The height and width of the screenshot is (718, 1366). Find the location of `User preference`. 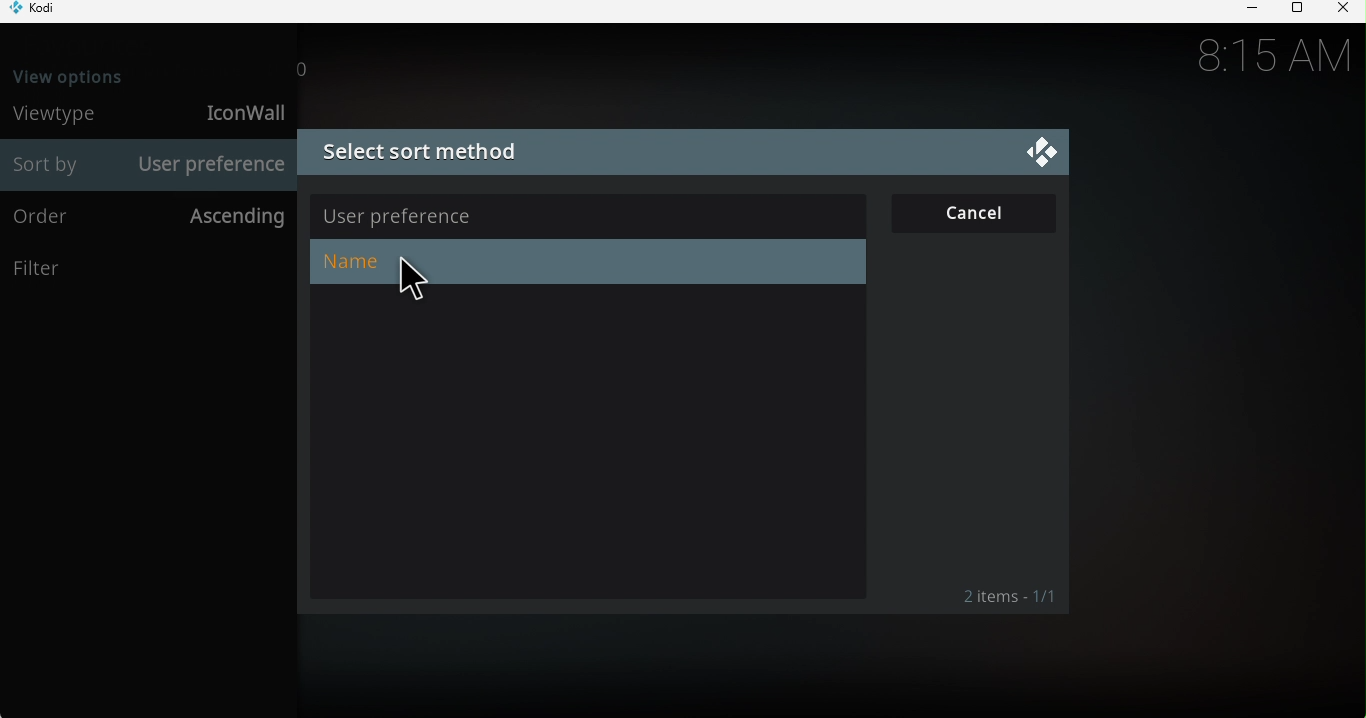

User preference is located at coordinates (589, 212).